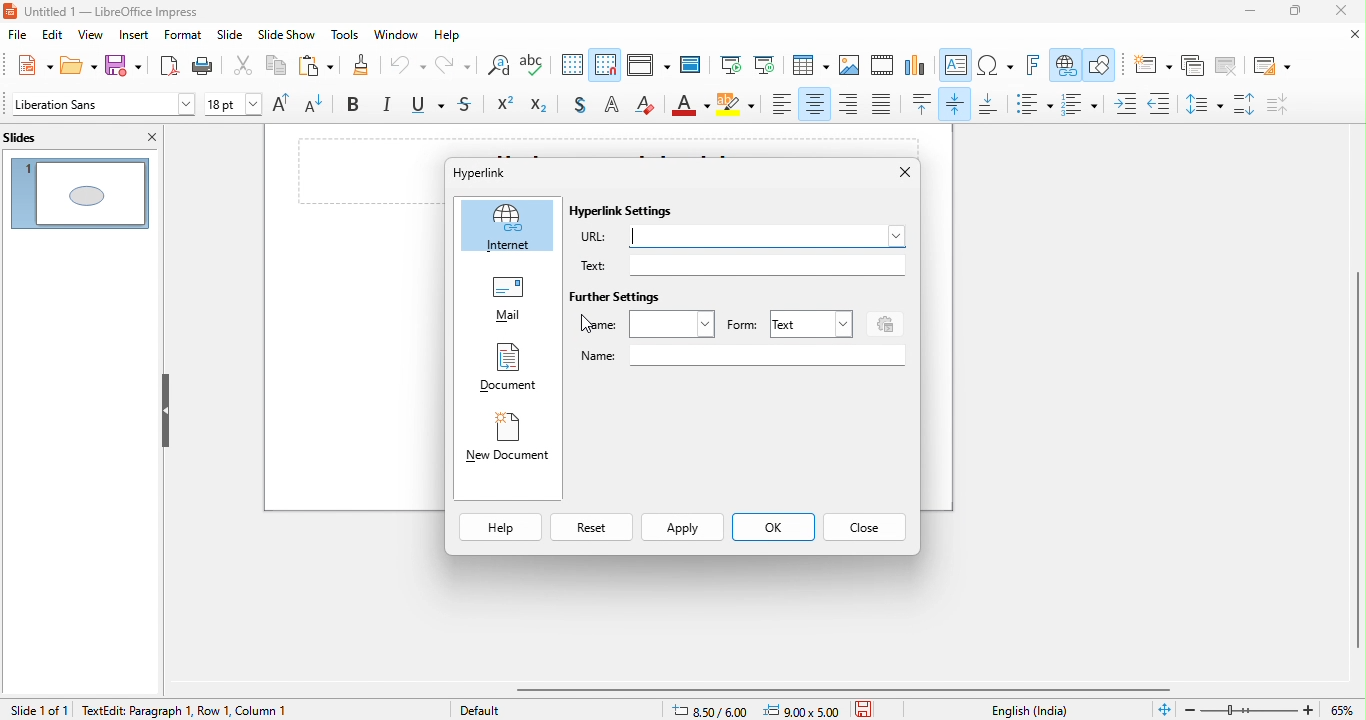  Describe the element at coordinates (772, 529) in the screenshot. I see `ok` at that location.